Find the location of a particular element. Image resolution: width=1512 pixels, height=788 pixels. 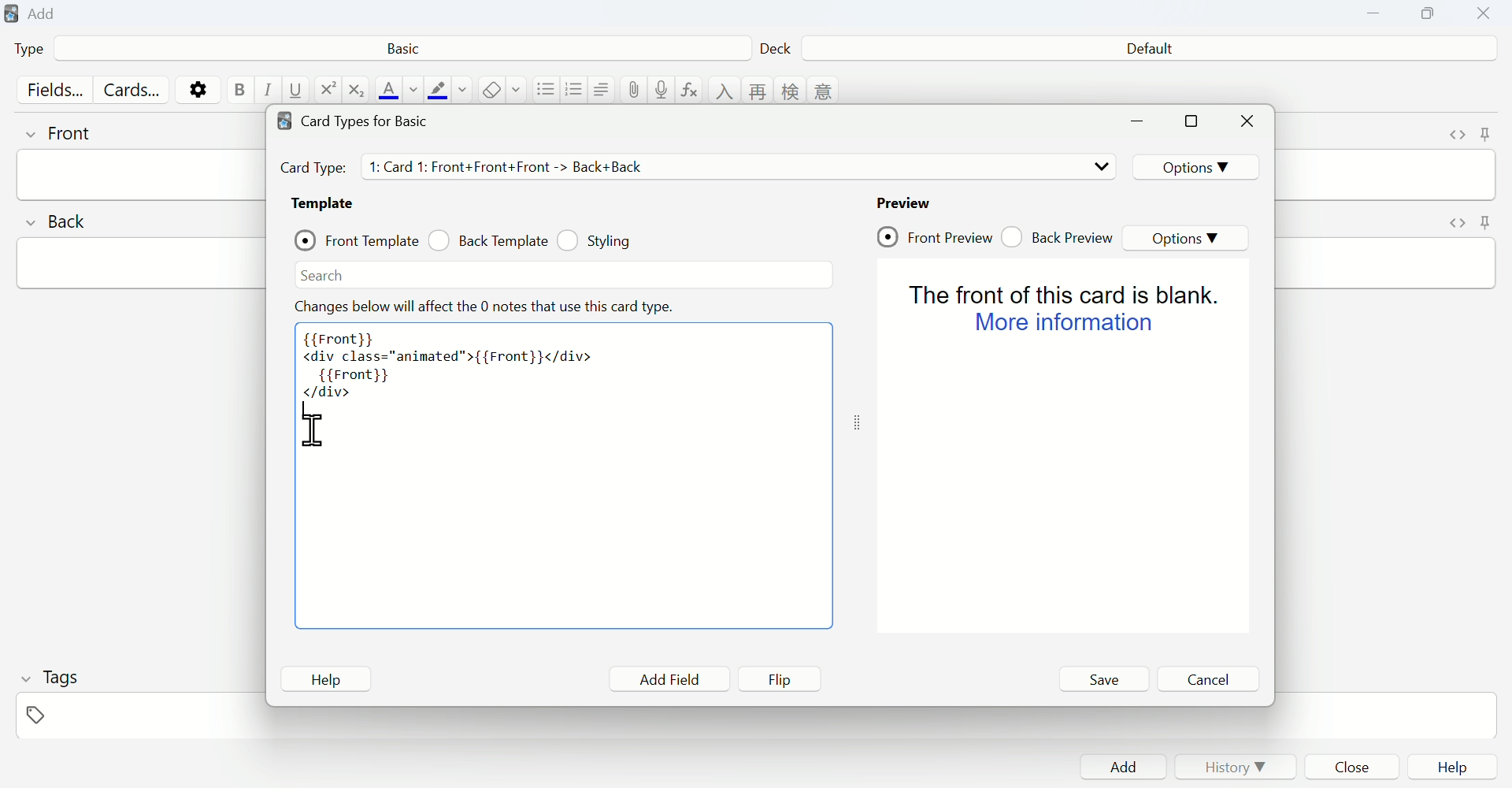

superscript is located at coordinates (328, 90).